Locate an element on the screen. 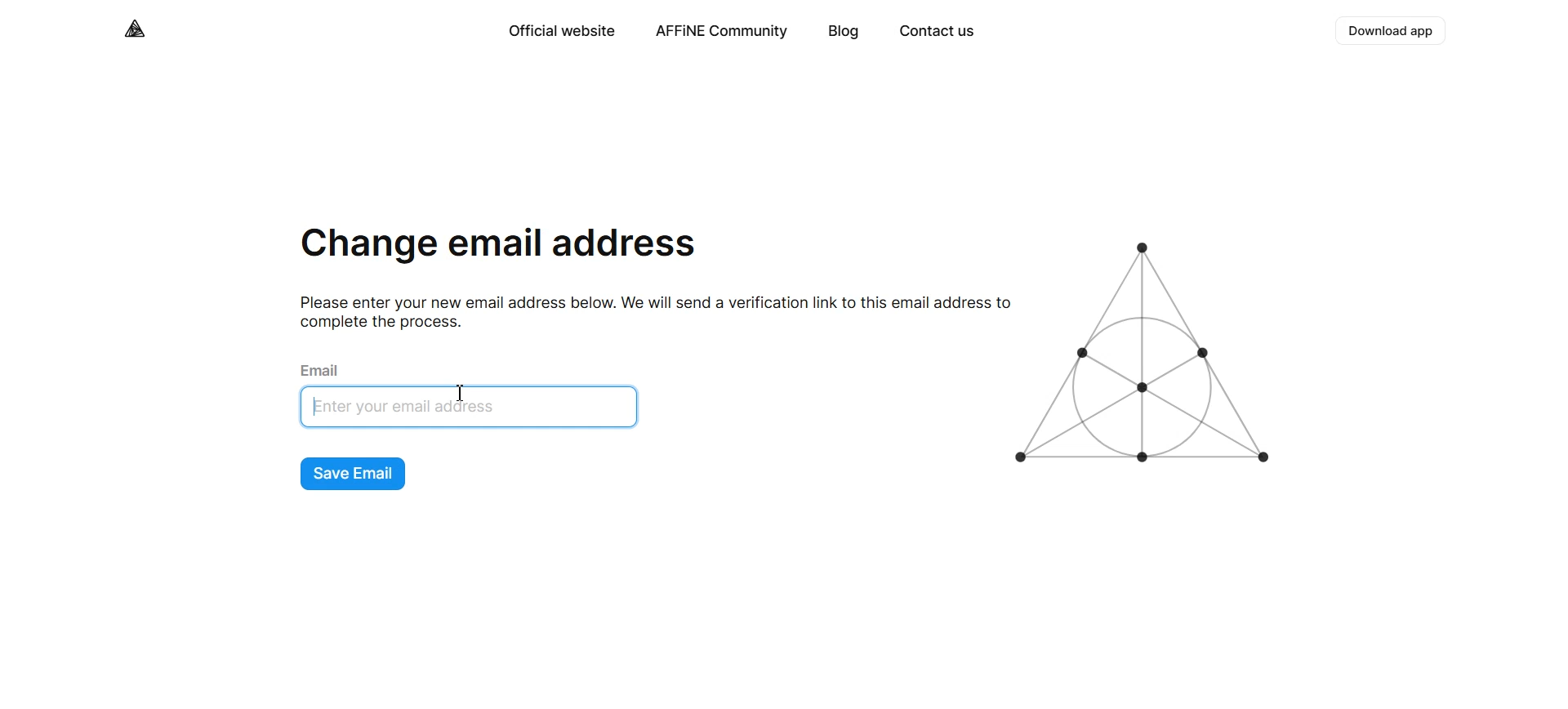  typing cursor is located at coordinates (314, 408).